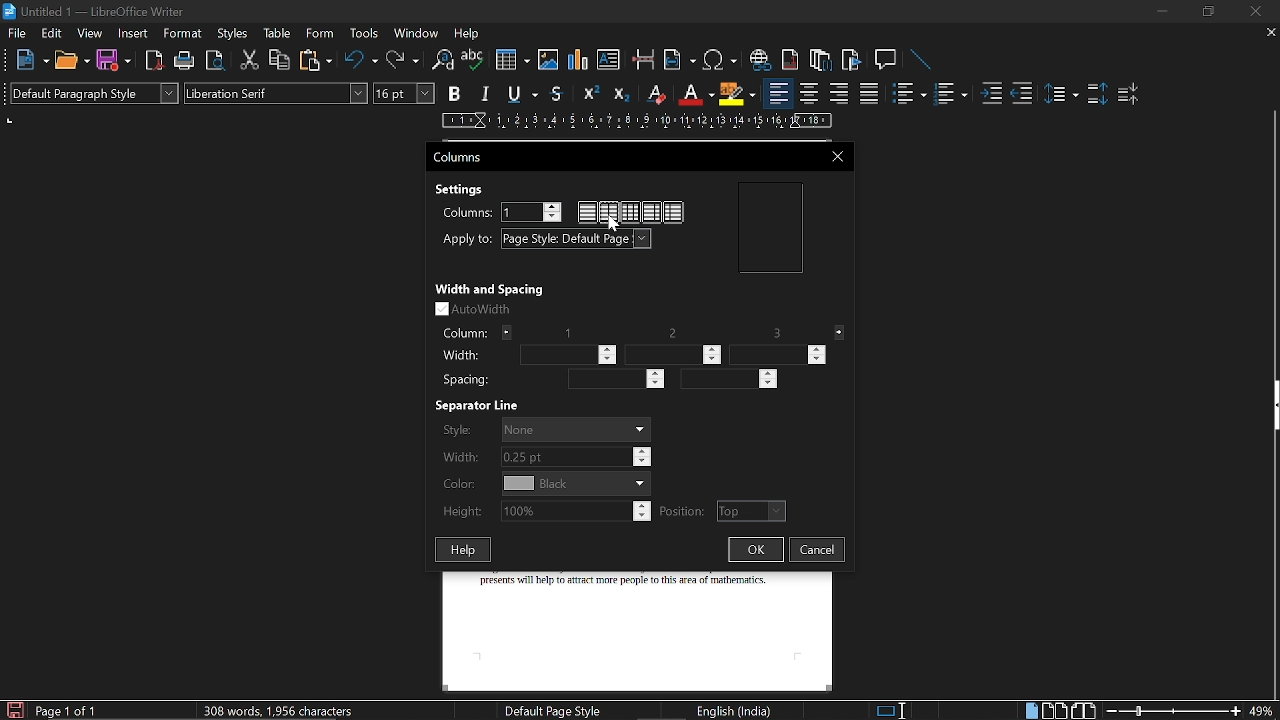 The image size is (1280, 720). I want to click on Multiple column style, so click(630, 211).